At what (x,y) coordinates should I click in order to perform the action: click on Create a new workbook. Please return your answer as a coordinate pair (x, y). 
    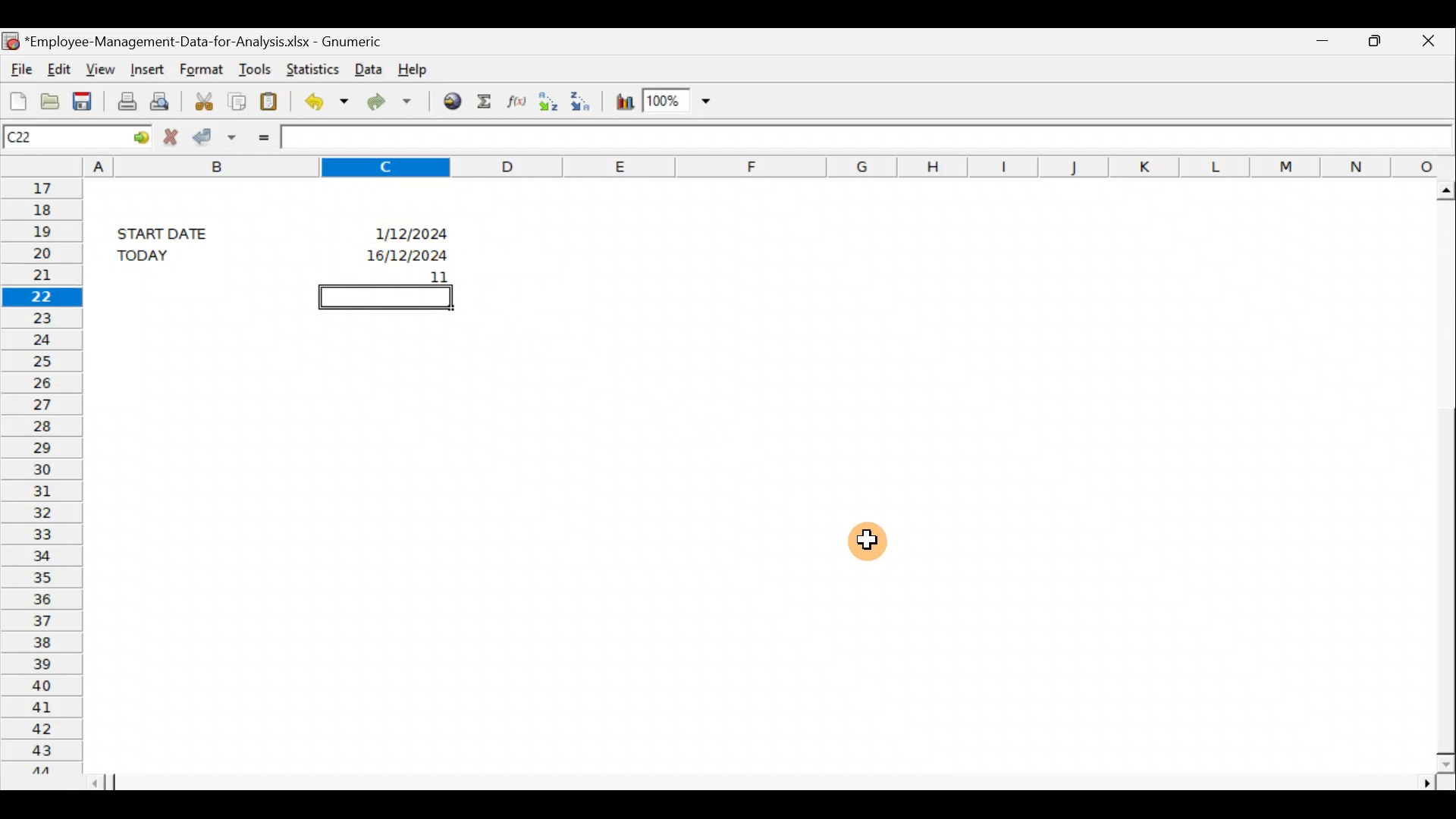
    Looking at the image, I should click on (15, 97).